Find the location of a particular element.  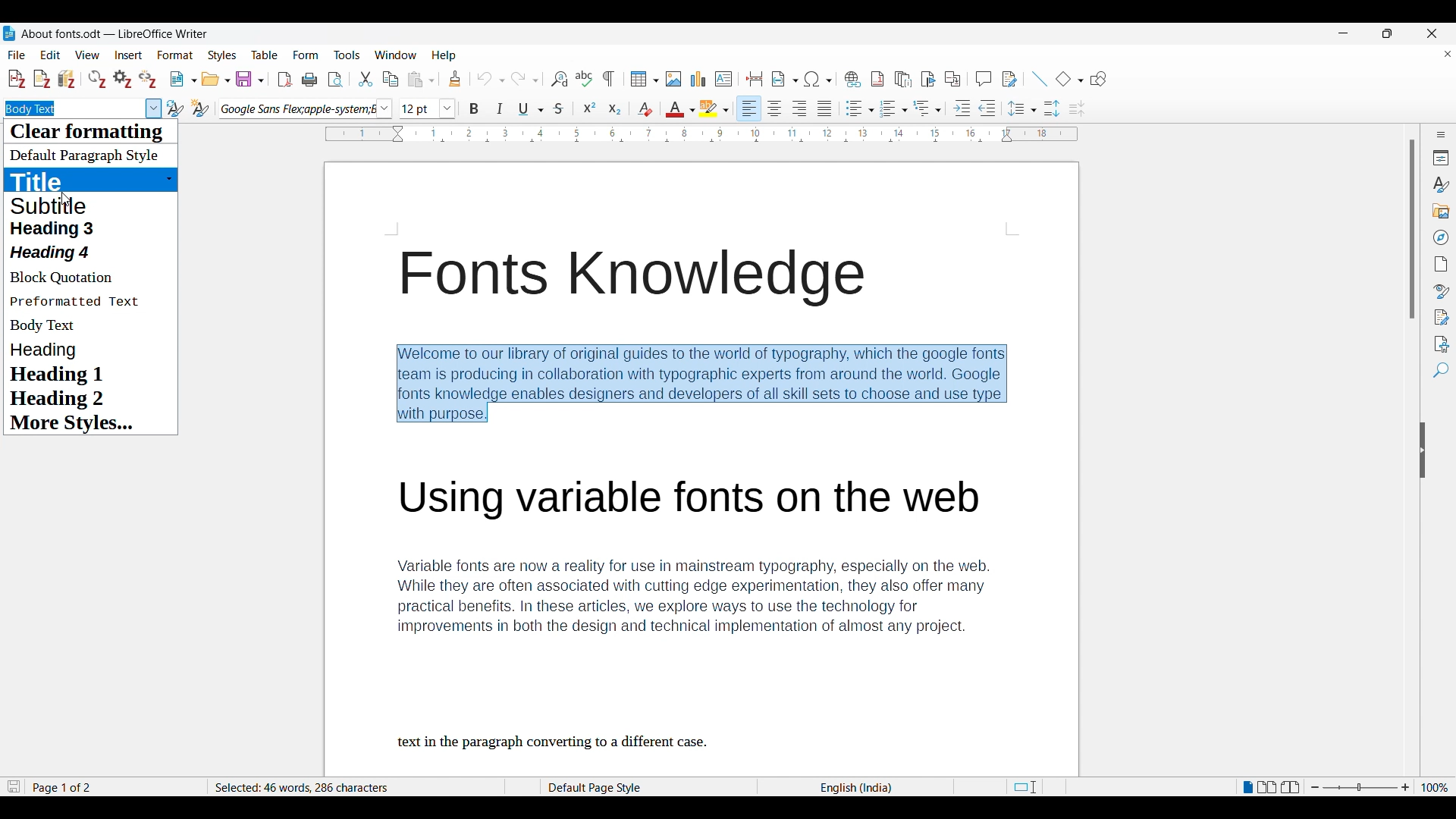

Insert field is located at coordinates (785, 79).